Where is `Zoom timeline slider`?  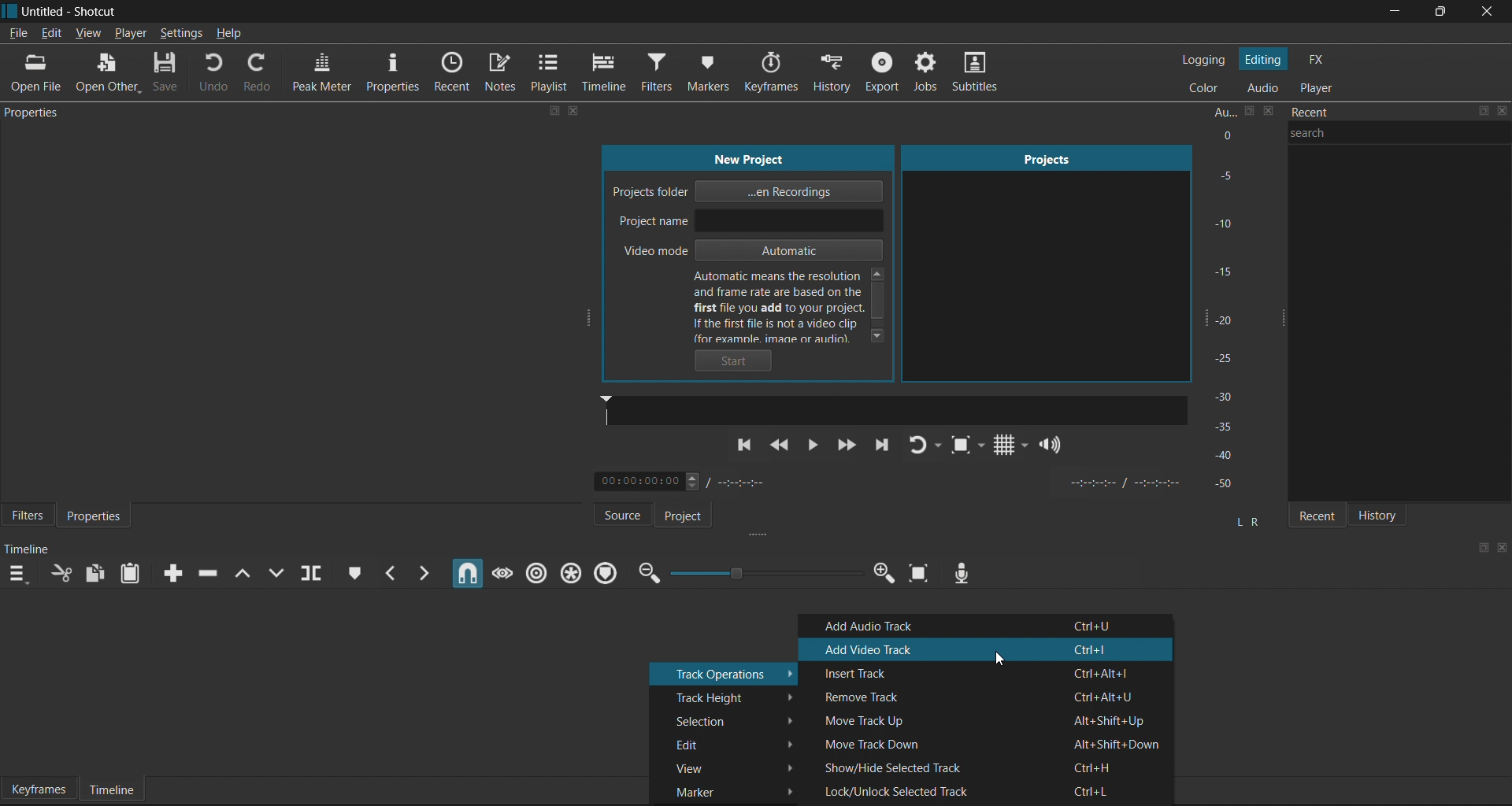 Zoom timeline slider is located at coordinates (762, 575).